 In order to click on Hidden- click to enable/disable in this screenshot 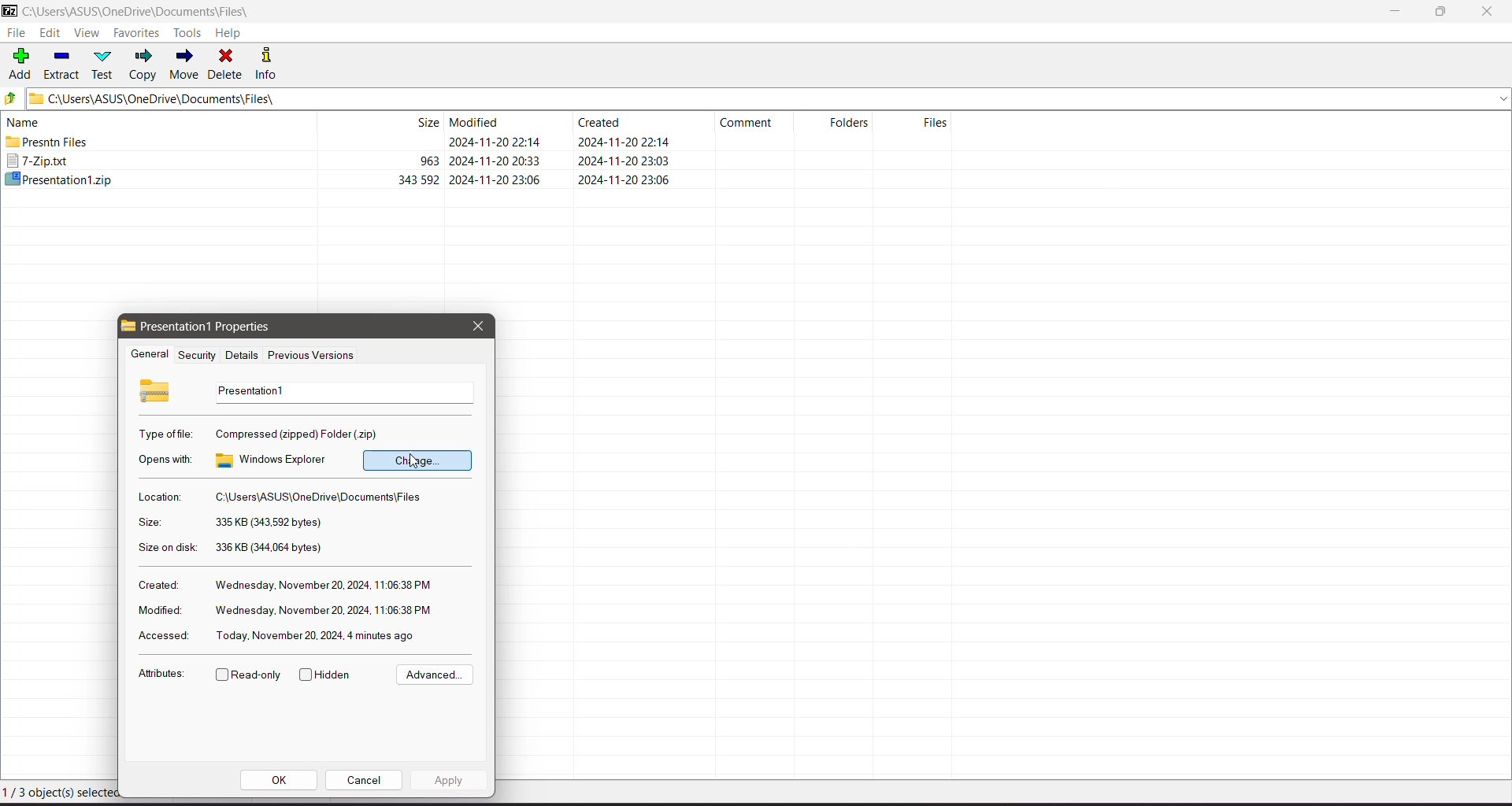, I will do `click(328, 675)`.